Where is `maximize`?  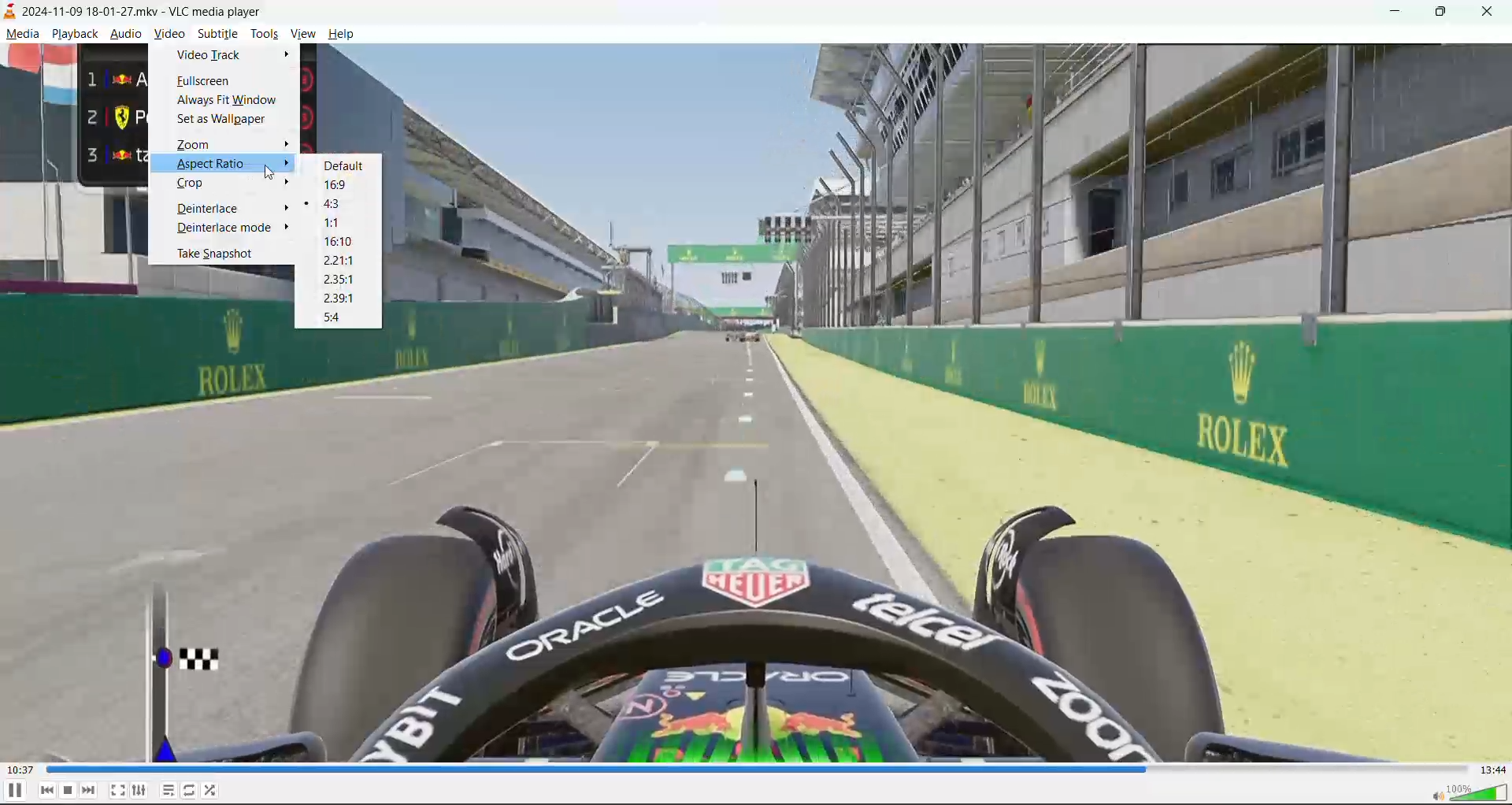
maximize is located at coordinates (1446, 13).